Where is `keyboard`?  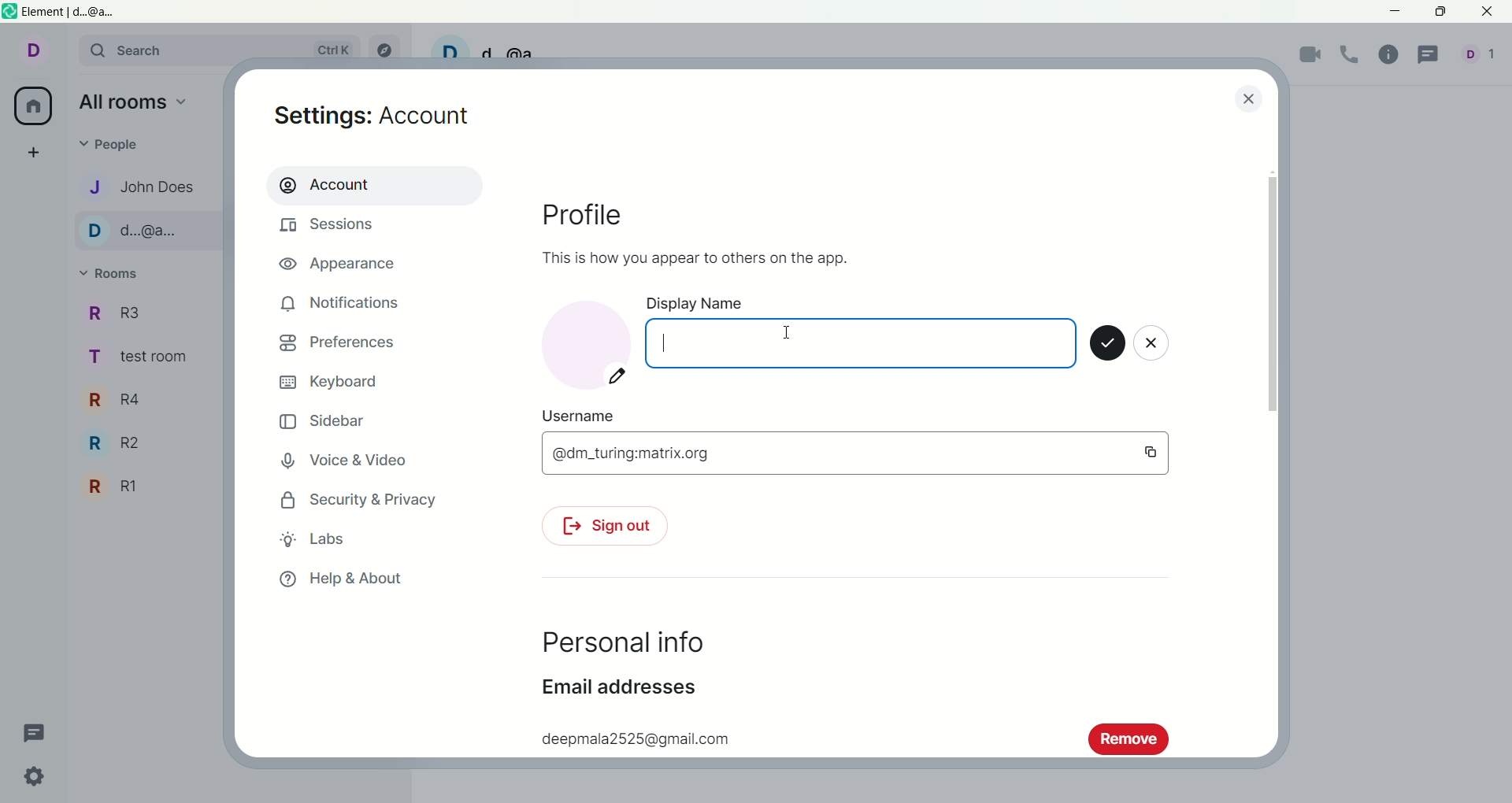 keyboard is located at coordinates (333, 383).